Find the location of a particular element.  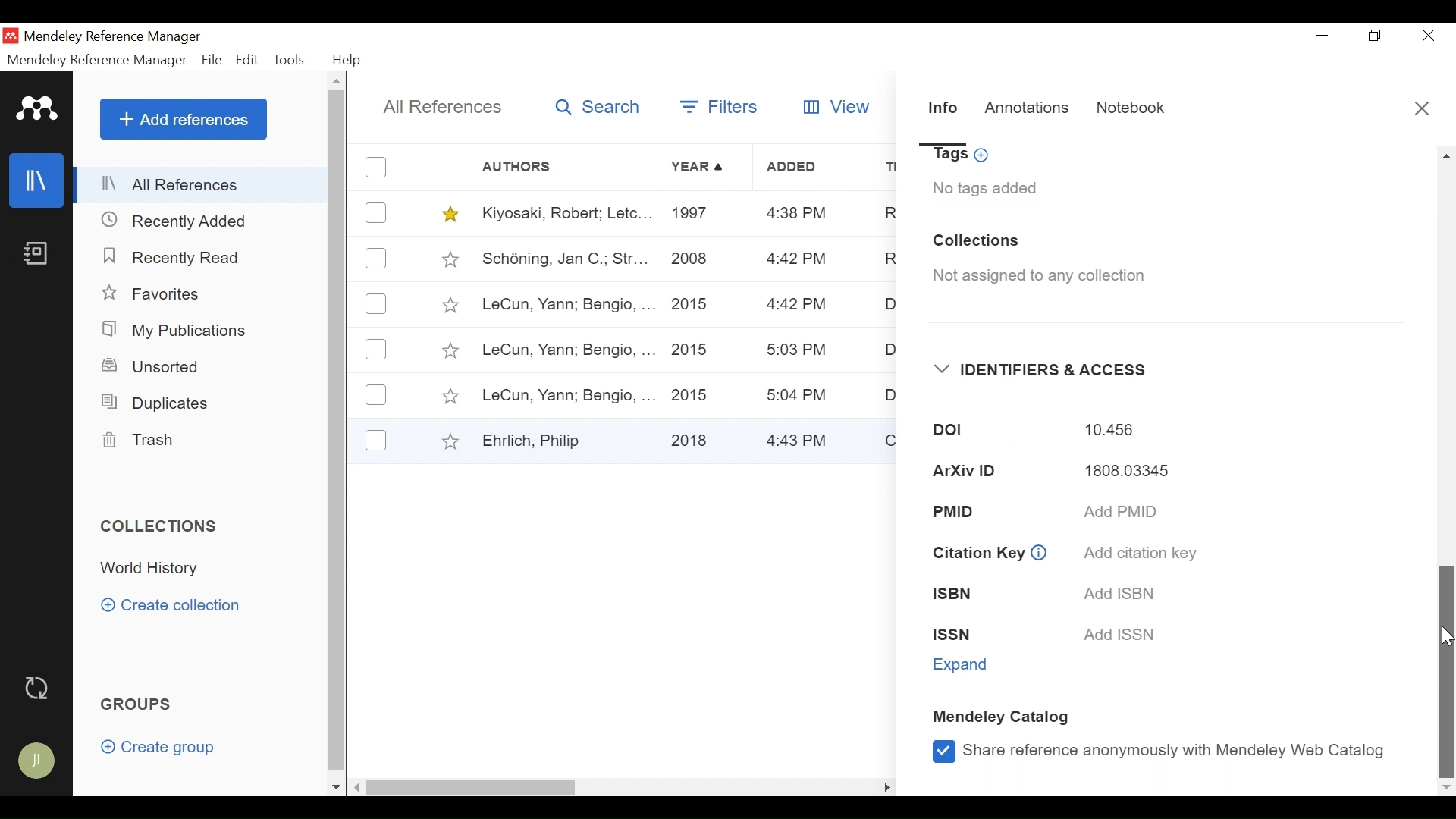

All References is located at coordinates (203, 186).